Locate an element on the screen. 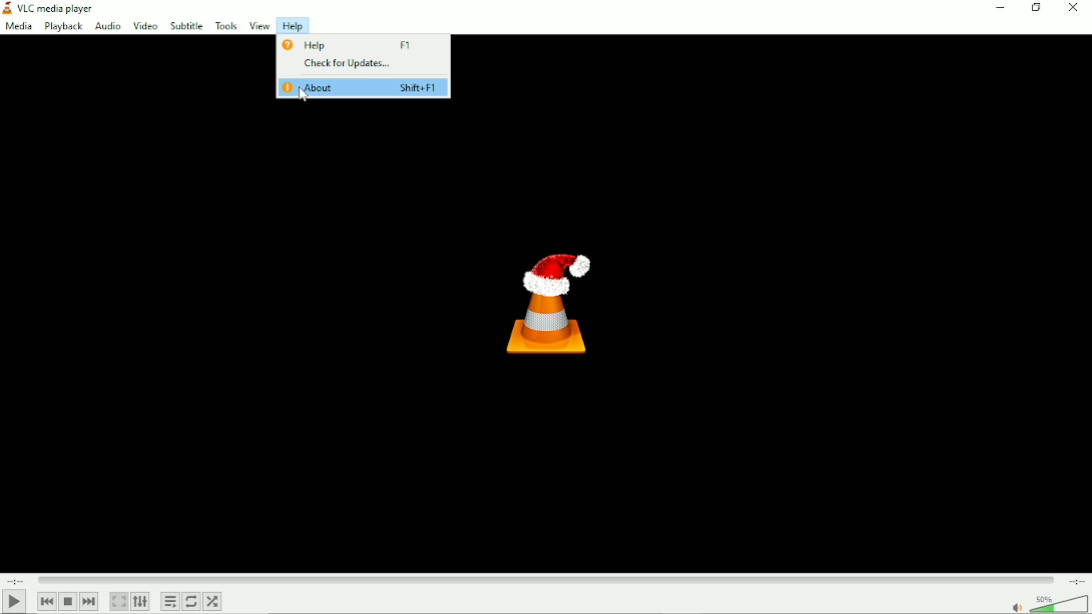 Image resolution: width=1092 pixels, height=614 pixels. vlc logo is located at coordinates (7, 8).